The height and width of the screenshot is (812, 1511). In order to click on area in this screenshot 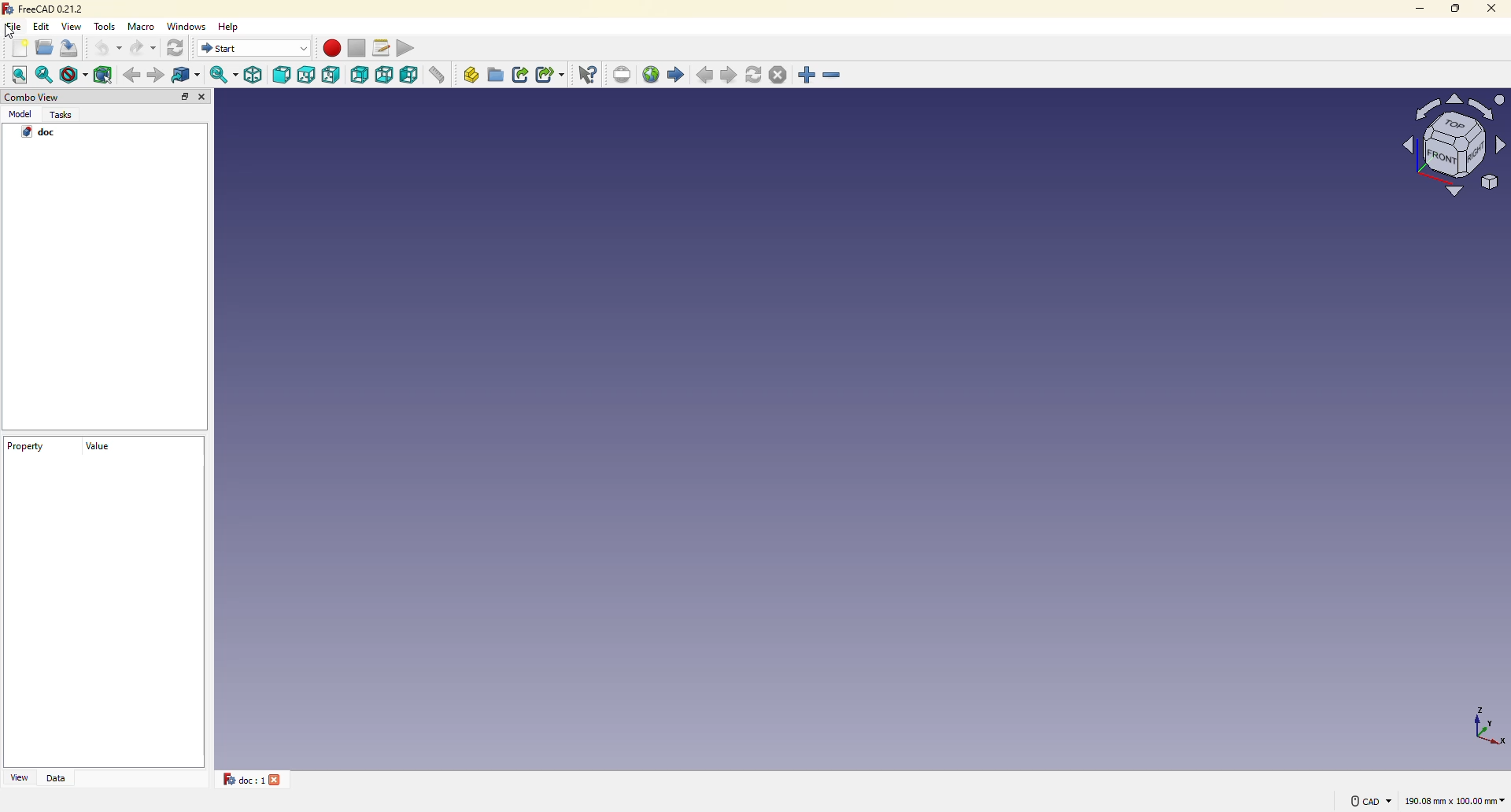, I will do `click(1455, 802)`.